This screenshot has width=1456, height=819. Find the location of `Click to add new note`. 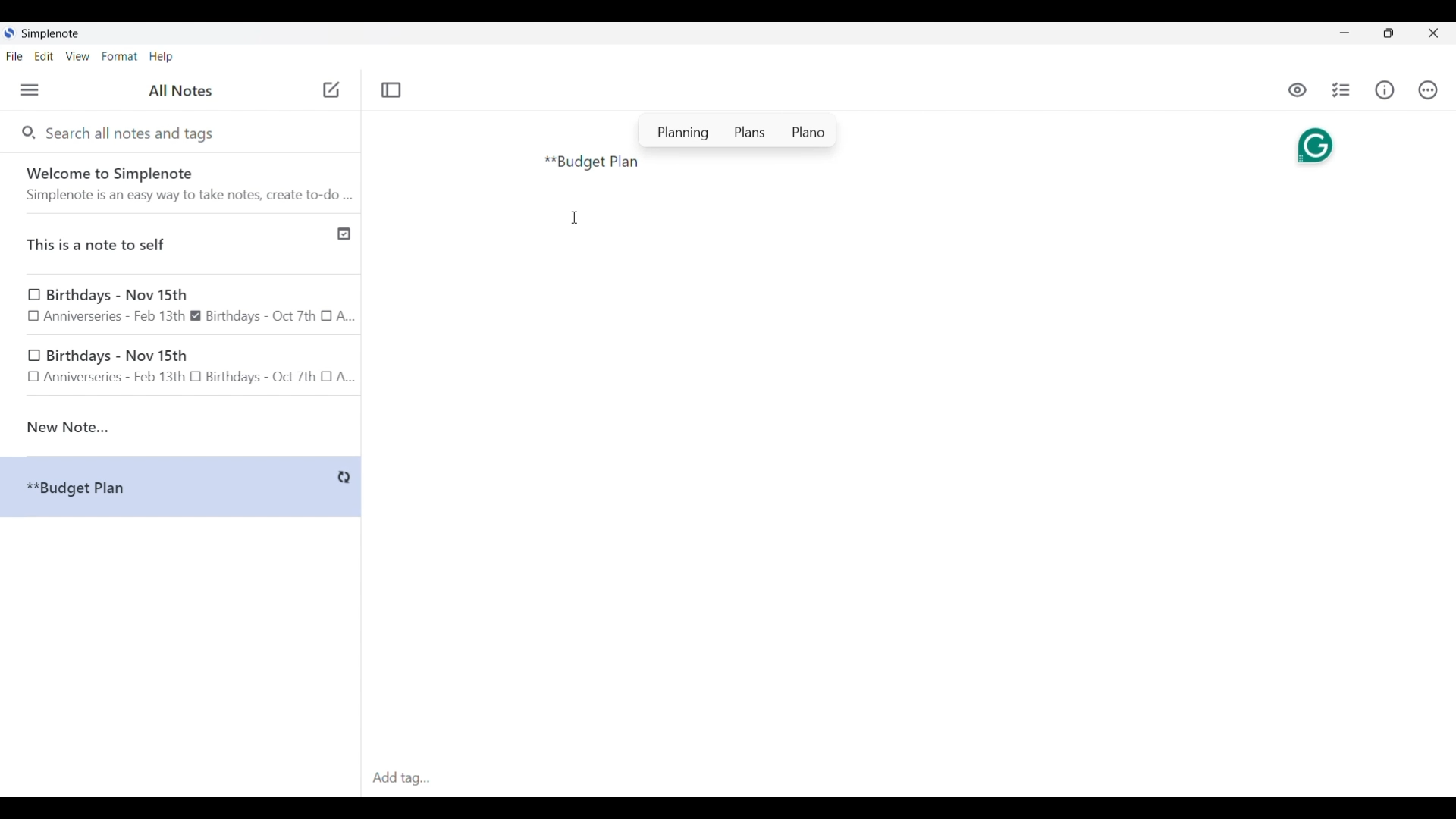

Click to add new note is located at coordinates (331, 89).